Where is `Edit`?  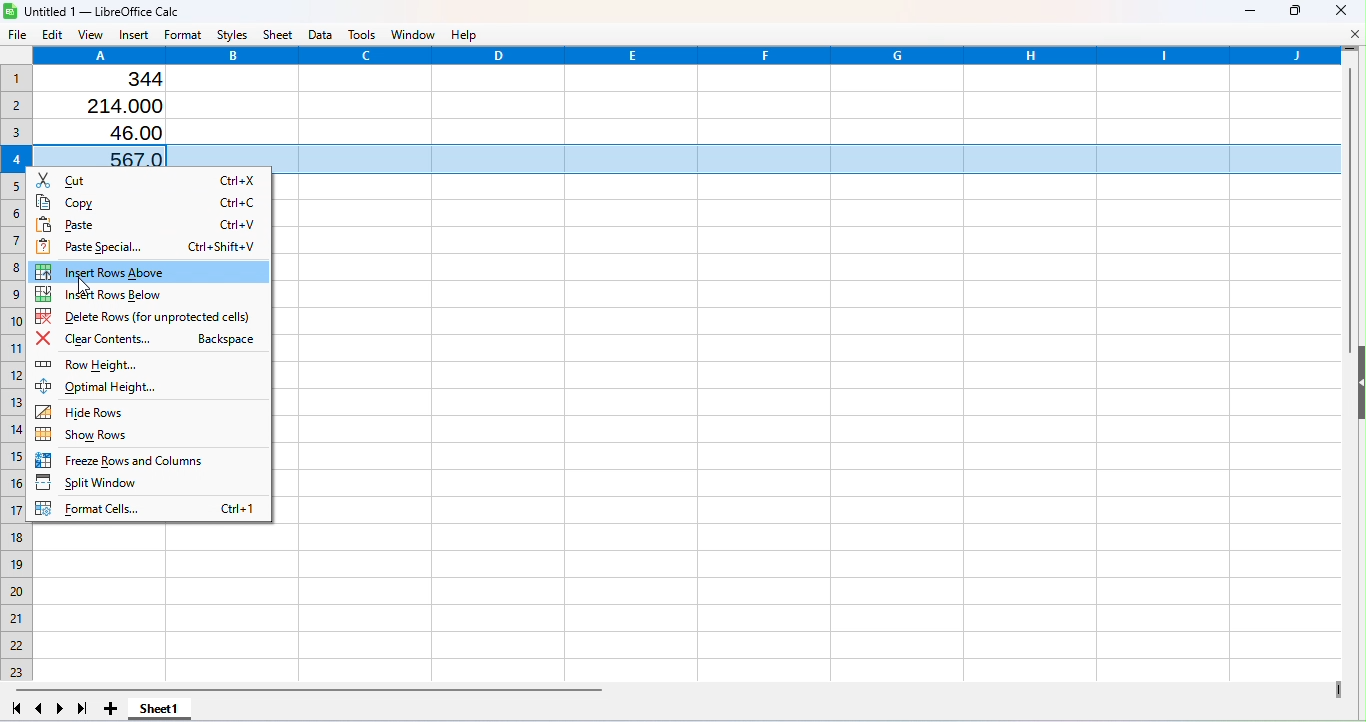 Edit is located at coordinates (51, 34).